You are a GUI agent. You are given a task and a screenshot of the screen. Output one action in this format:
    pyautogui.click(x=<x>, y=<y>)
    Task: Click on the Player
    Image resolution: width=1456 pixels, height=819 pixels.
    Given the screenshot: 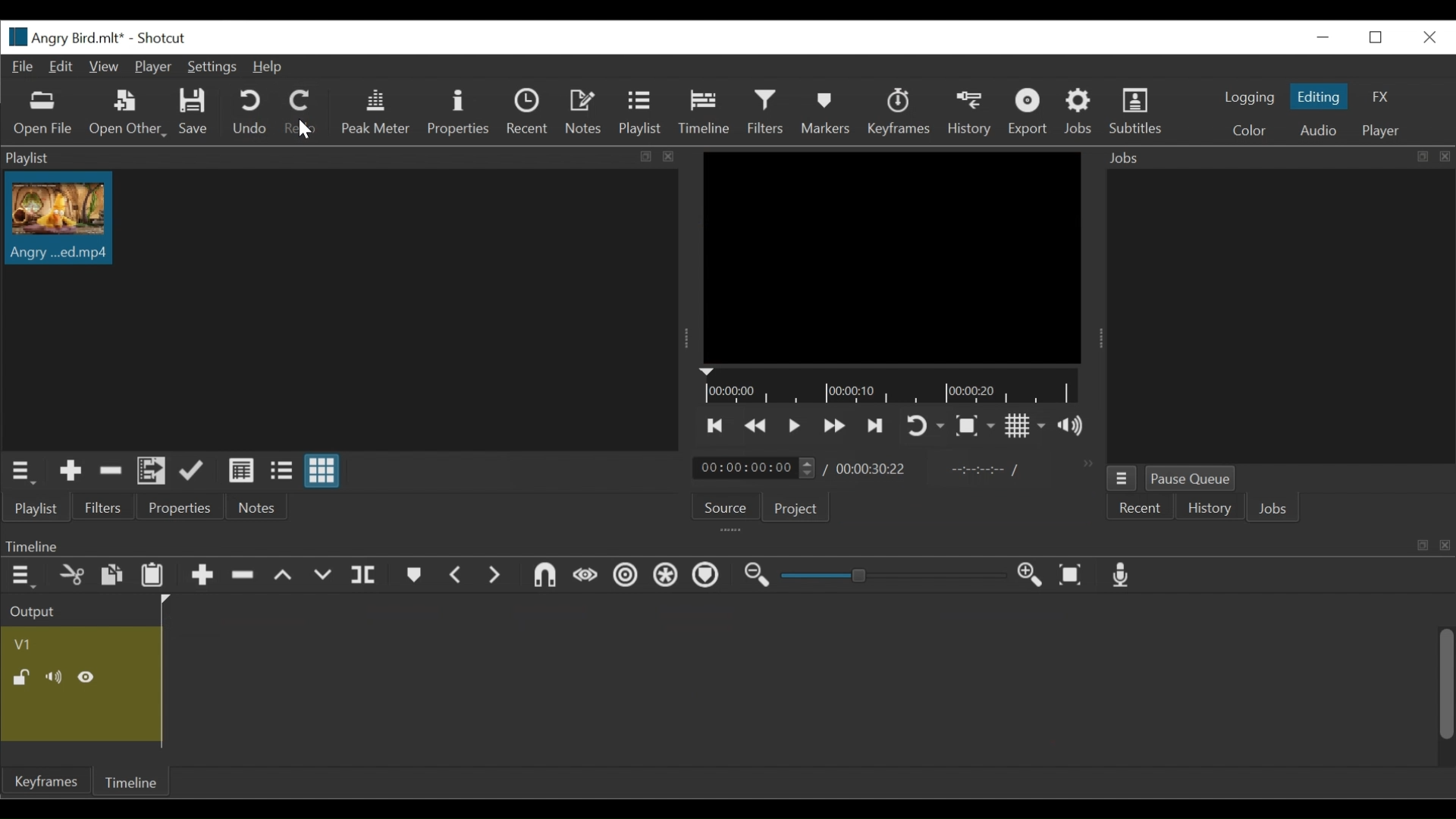 What is the action you would take?
    pyautogui.click(x=152, y=67)
    